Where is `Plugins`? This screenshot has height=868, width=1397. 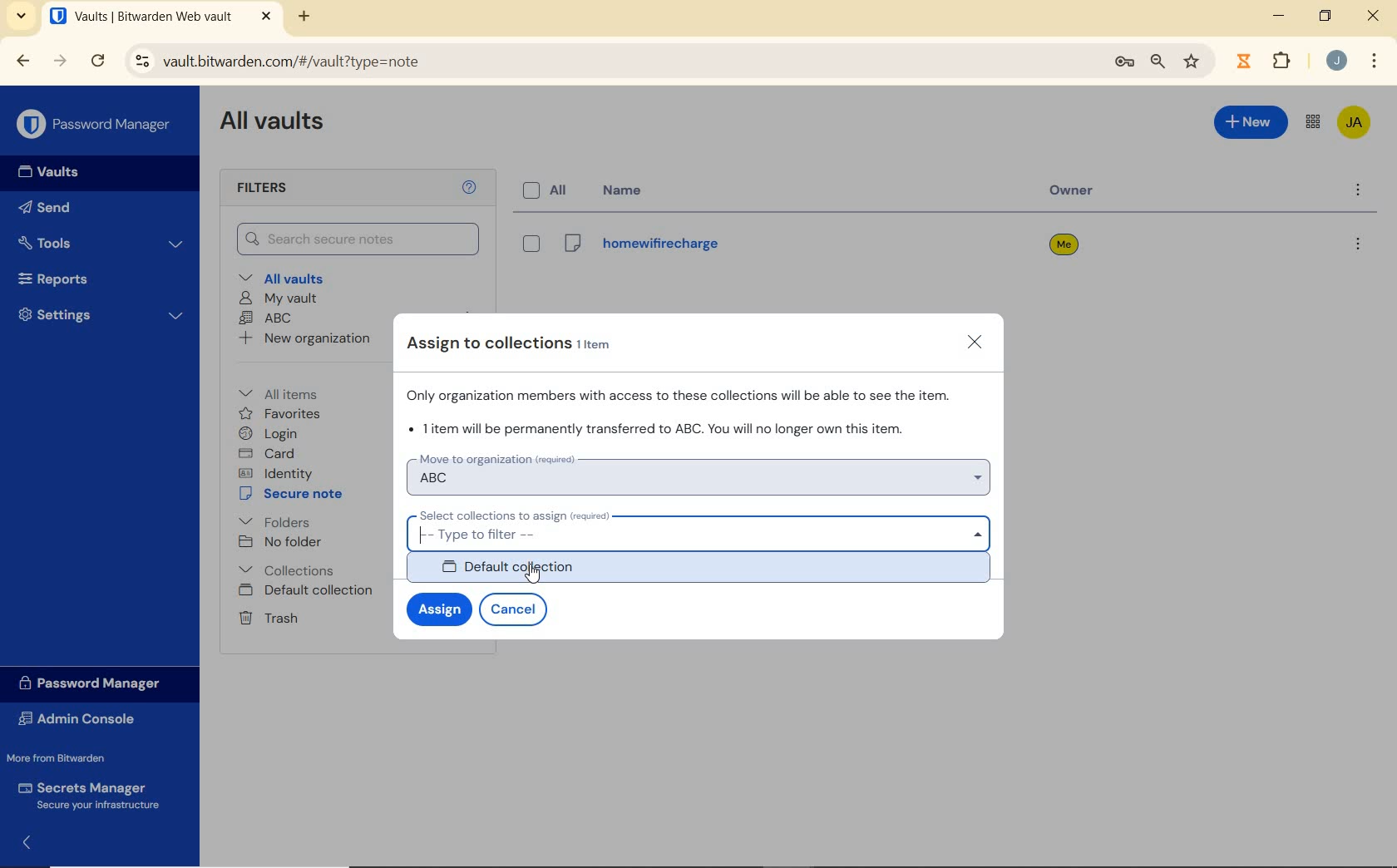 Plugins is located at coordinates (1285, 59).